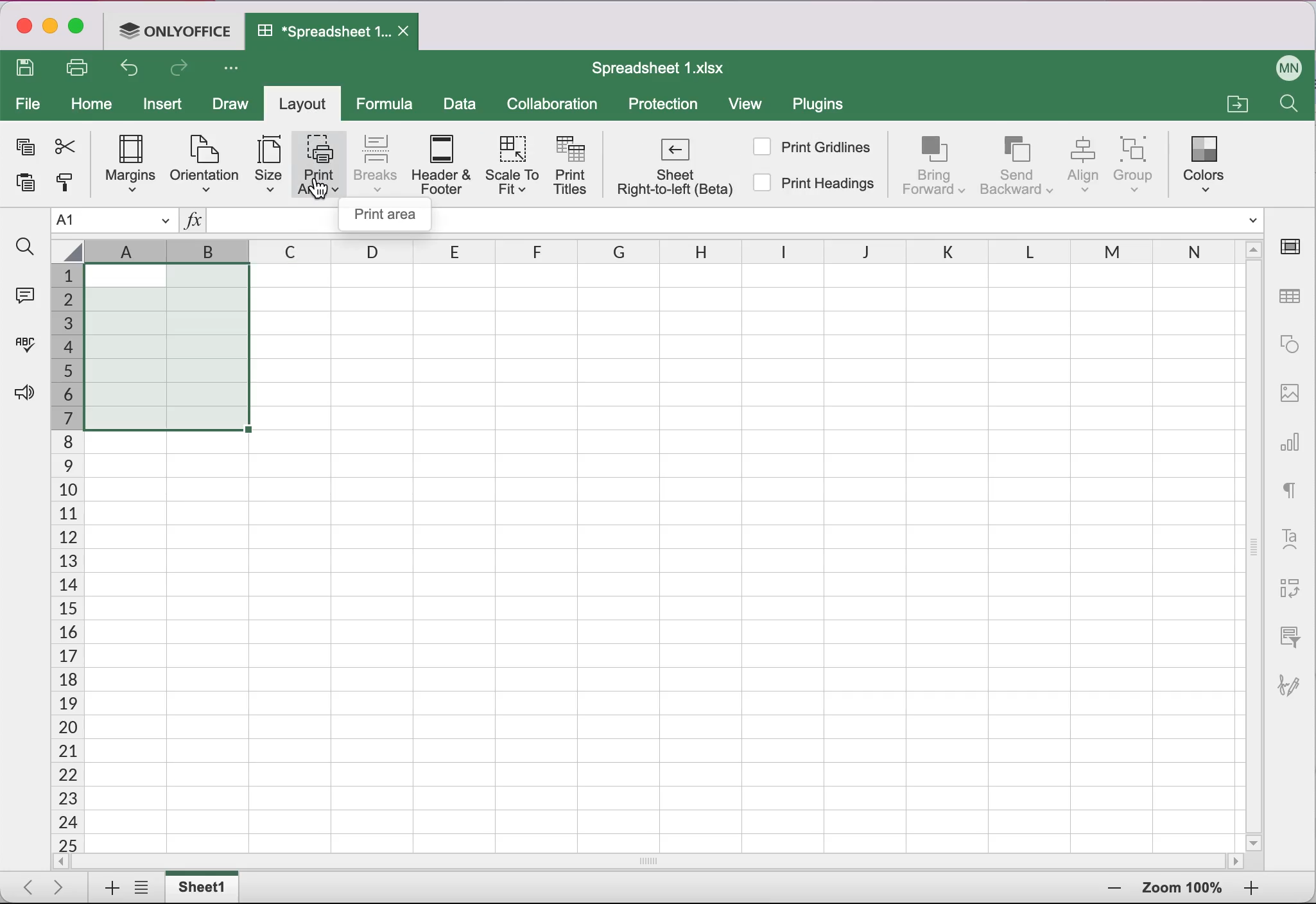  What do you see at coordinates (1254, 540) in the screenshot?
I see `vertical slider` at bounding box center [1254, 540].